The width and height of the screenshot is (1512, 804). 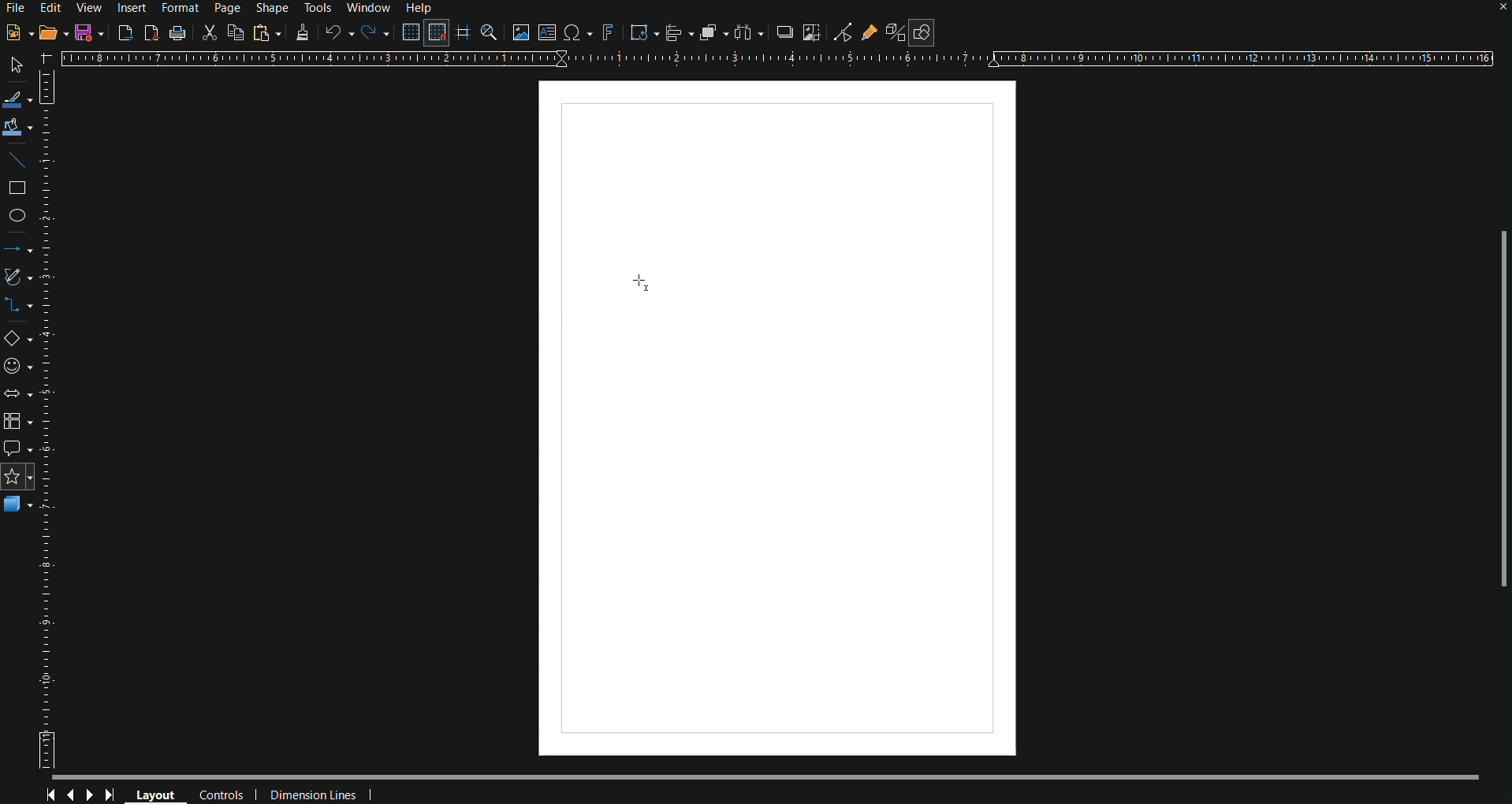 I want to click on Horizontal Ruler, so click(x=776, y=59).